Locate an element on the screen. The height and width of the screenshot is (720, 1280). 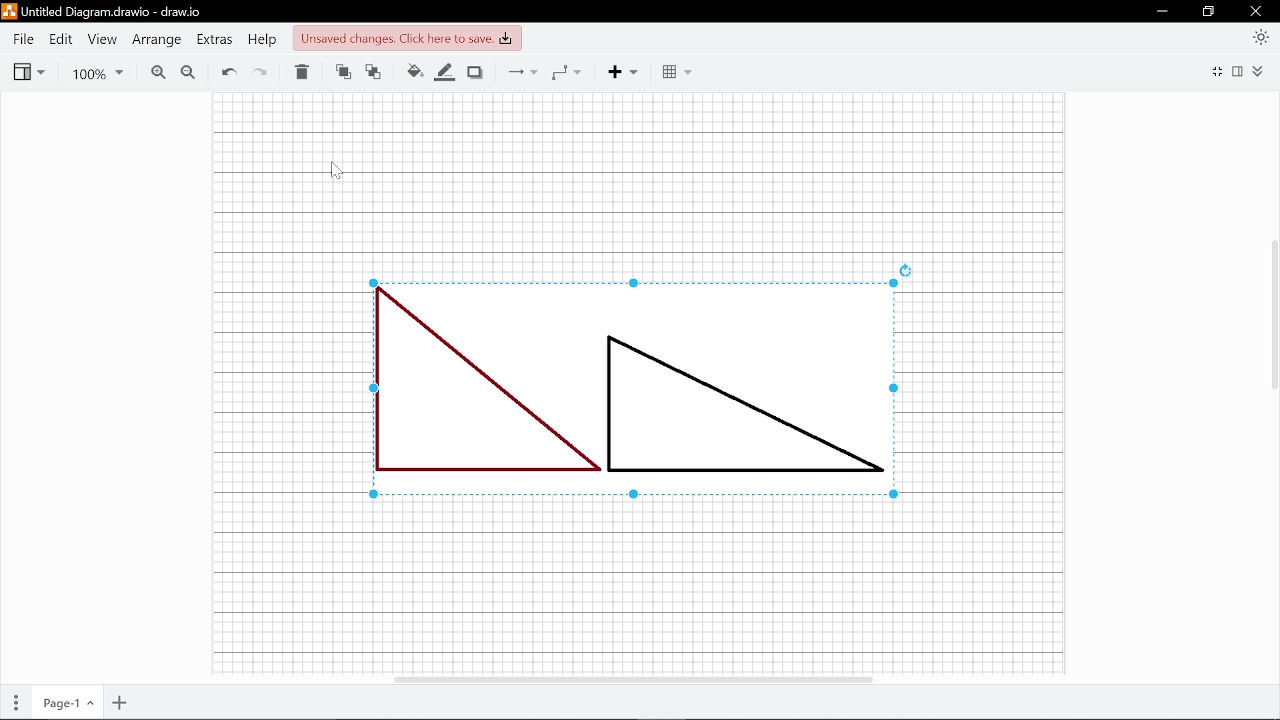
Added image is located at coordinates (635, 389).